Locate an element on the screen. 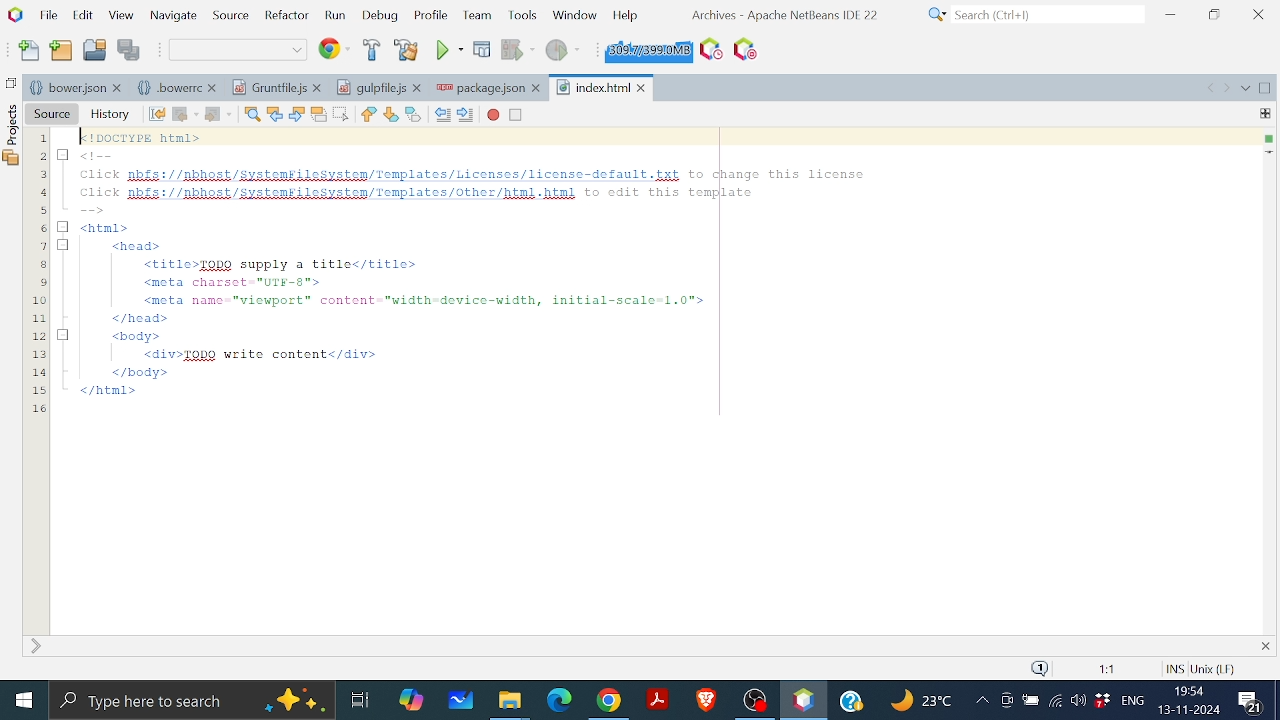 The height and width of the screenshot is (720, 1280). back is located at coordinates (183, 113).